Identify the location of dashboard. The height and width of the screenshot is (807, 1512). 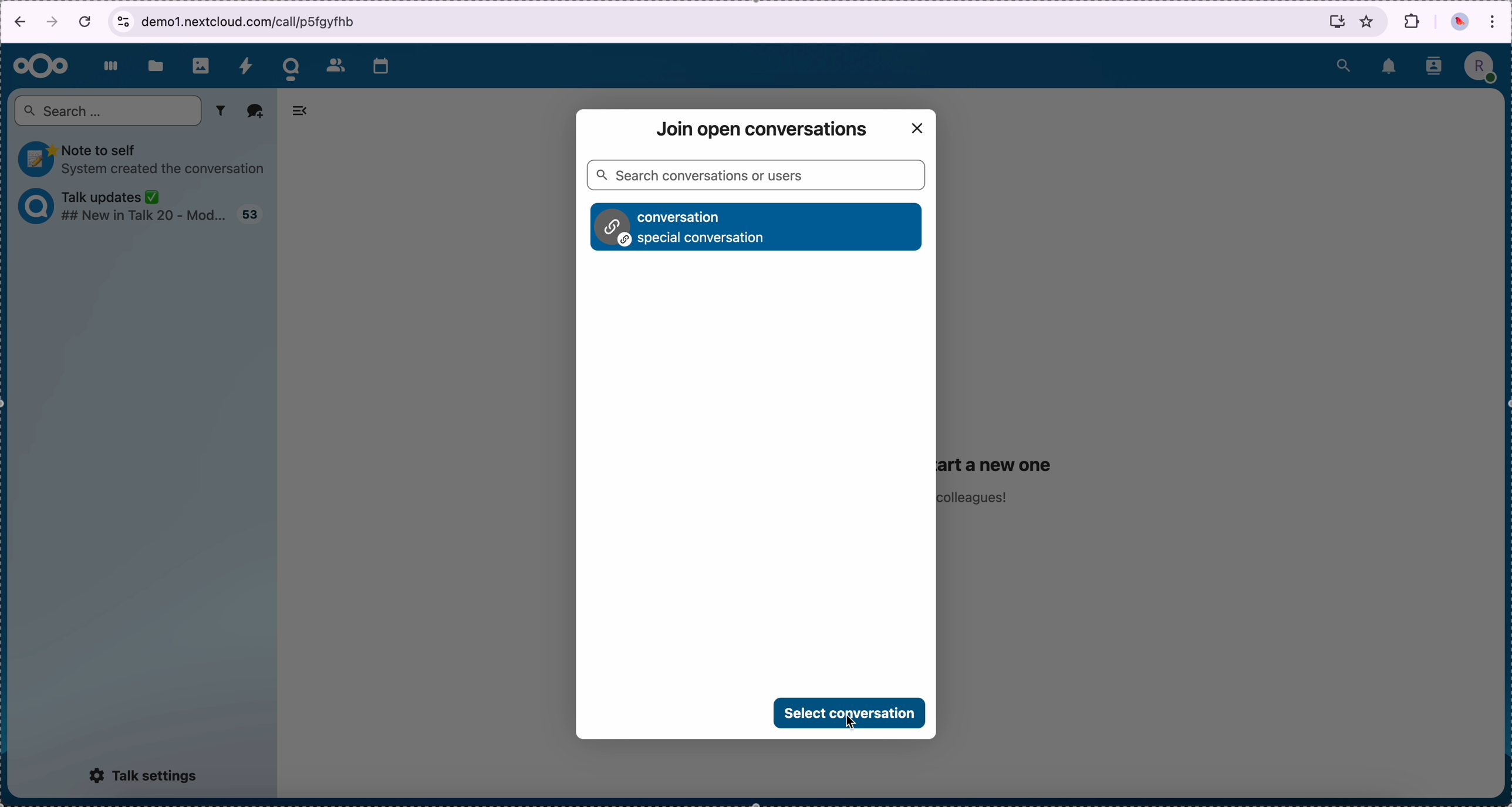
(110, 67).